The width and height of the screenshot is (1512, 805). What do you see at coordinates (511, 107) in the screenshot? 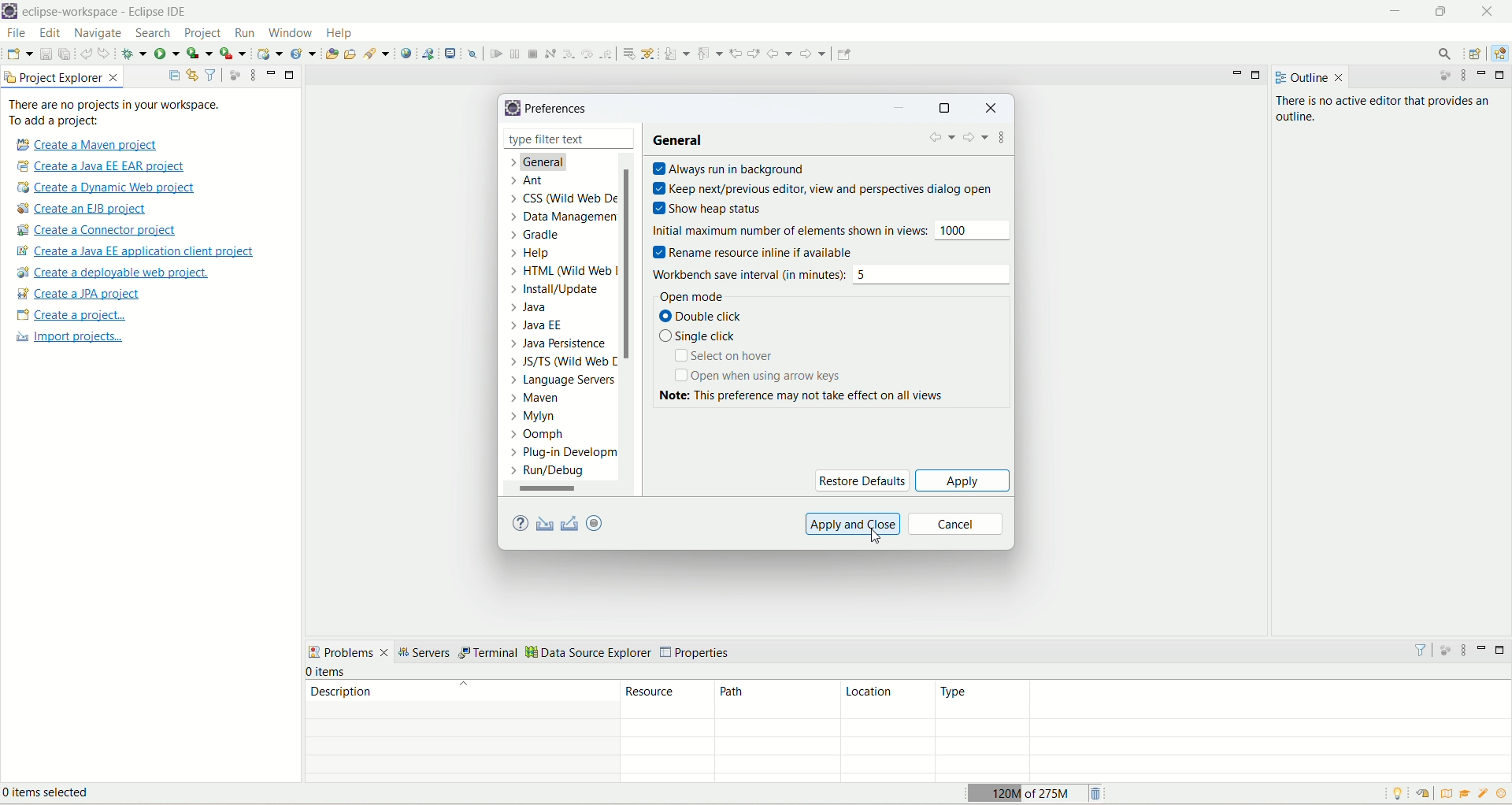
I see `logo` at bounding box center [511, 107].